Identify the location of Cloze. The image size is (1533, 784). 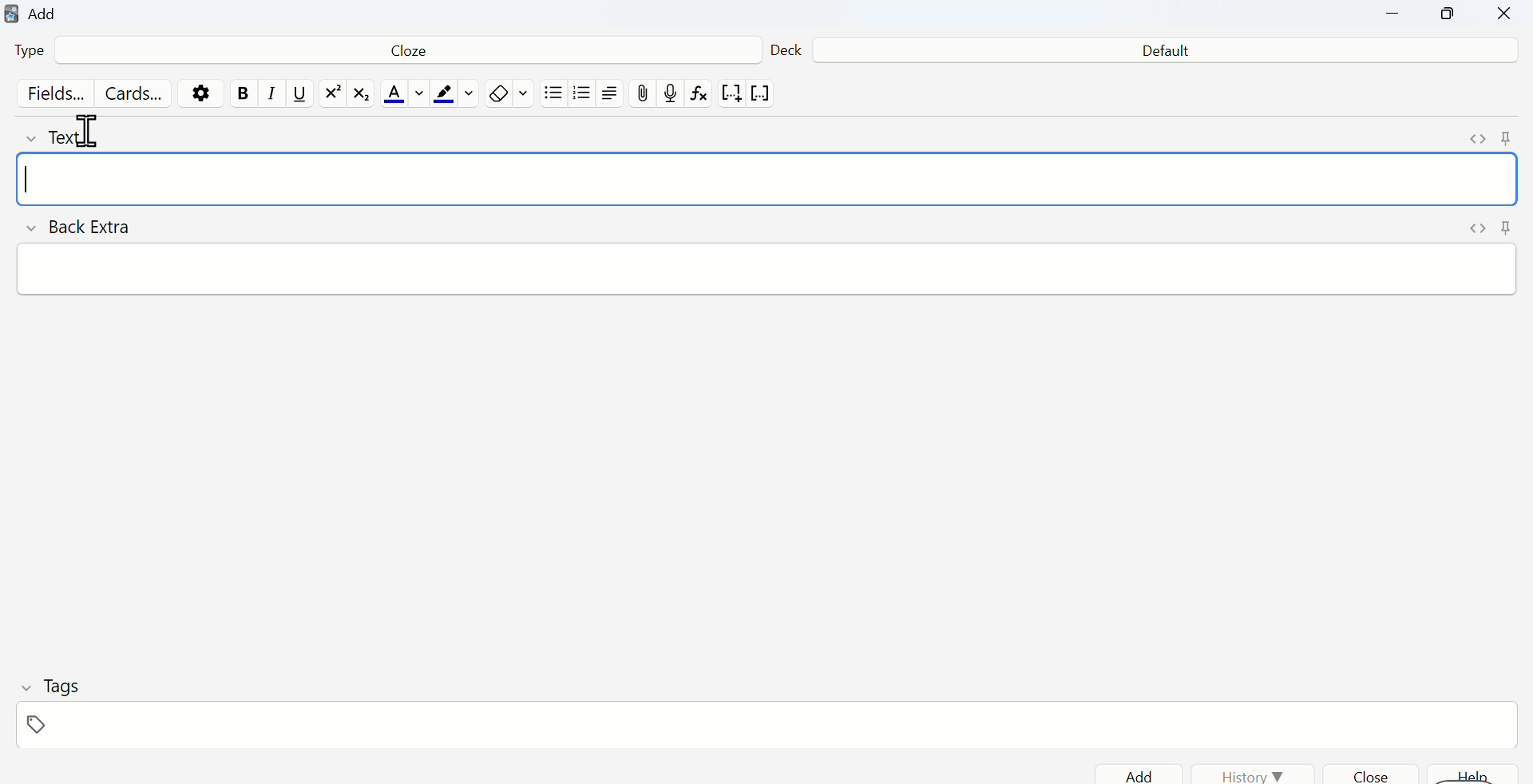
(402, 53).